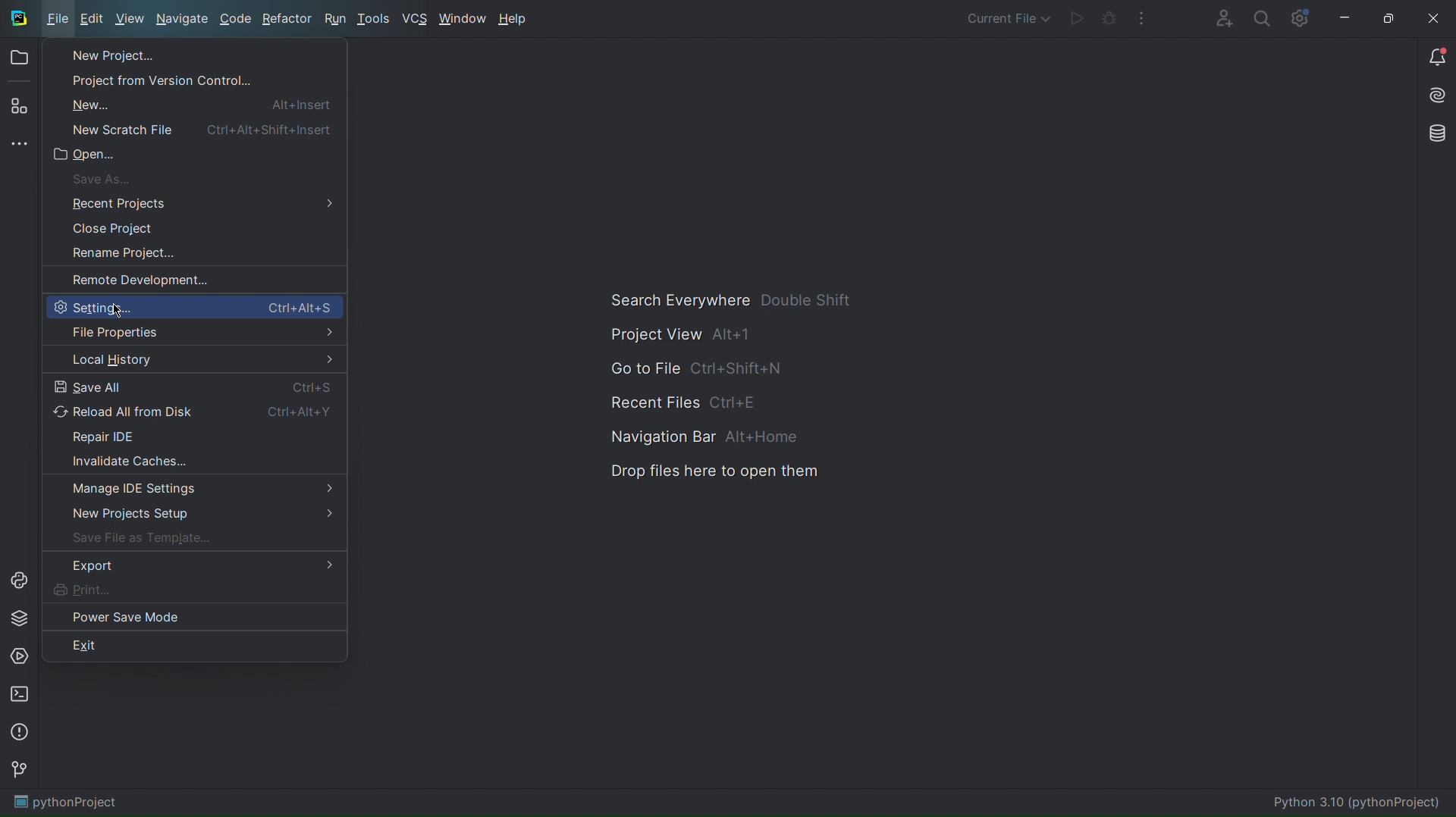 The image size is (1456, 817). I want to click on Bug Test, so click(1109, 19).